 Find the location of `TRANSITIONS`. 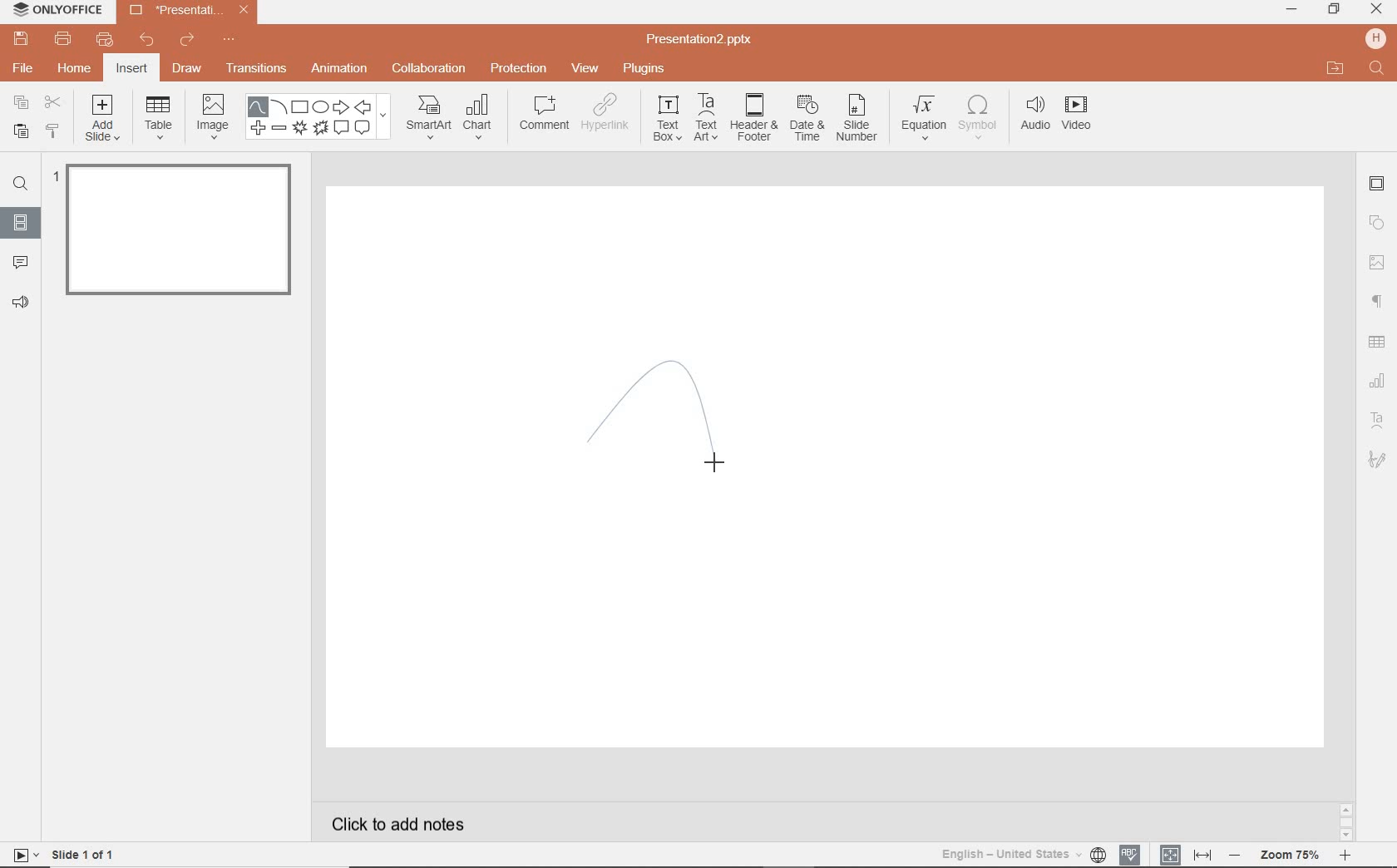

TRANSITIONS is located at coordinates (259, 70).